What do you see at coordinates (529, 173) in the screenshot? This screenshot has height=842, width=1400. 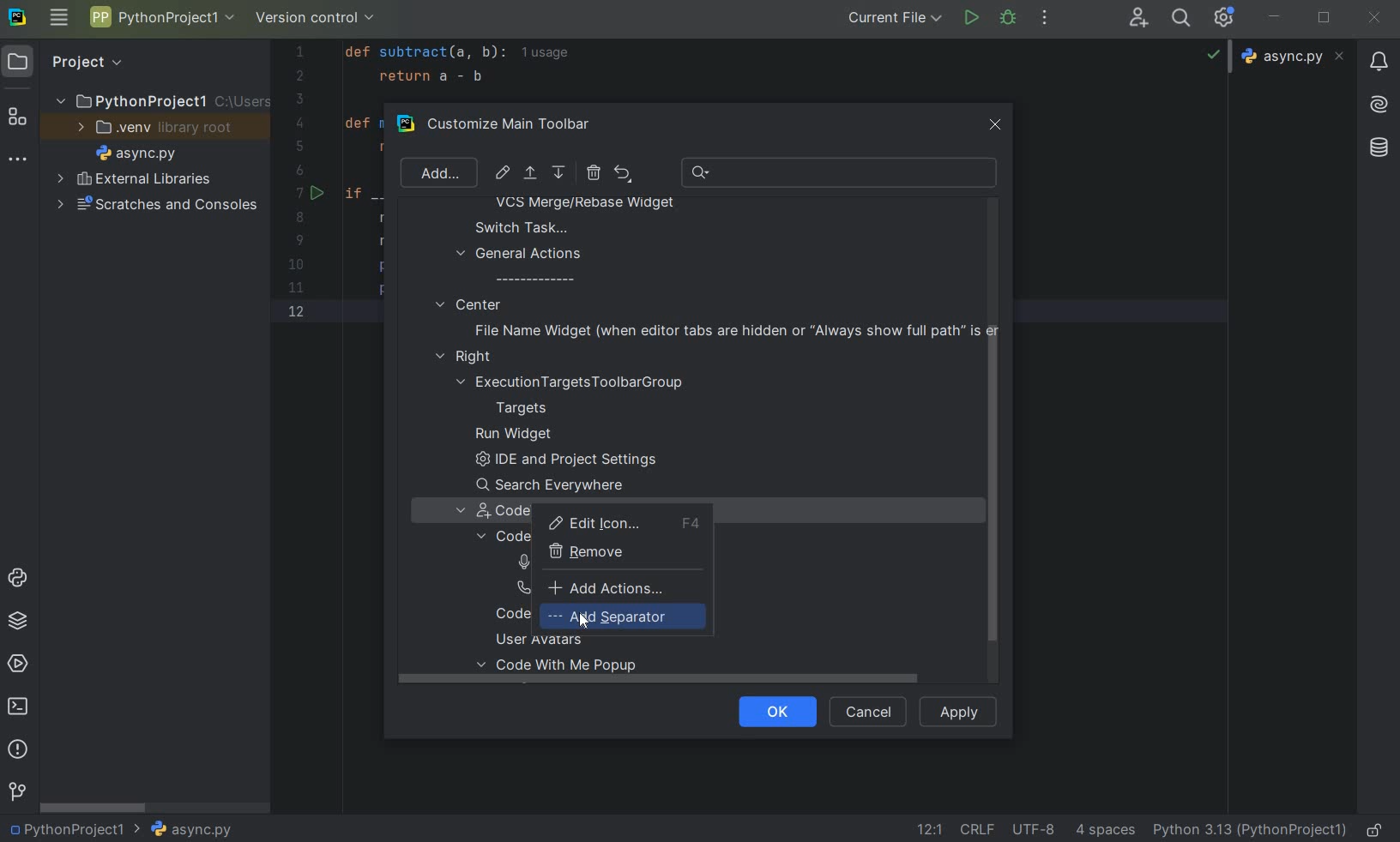 I see `MOVE UP` at bounding box center [529, 173].